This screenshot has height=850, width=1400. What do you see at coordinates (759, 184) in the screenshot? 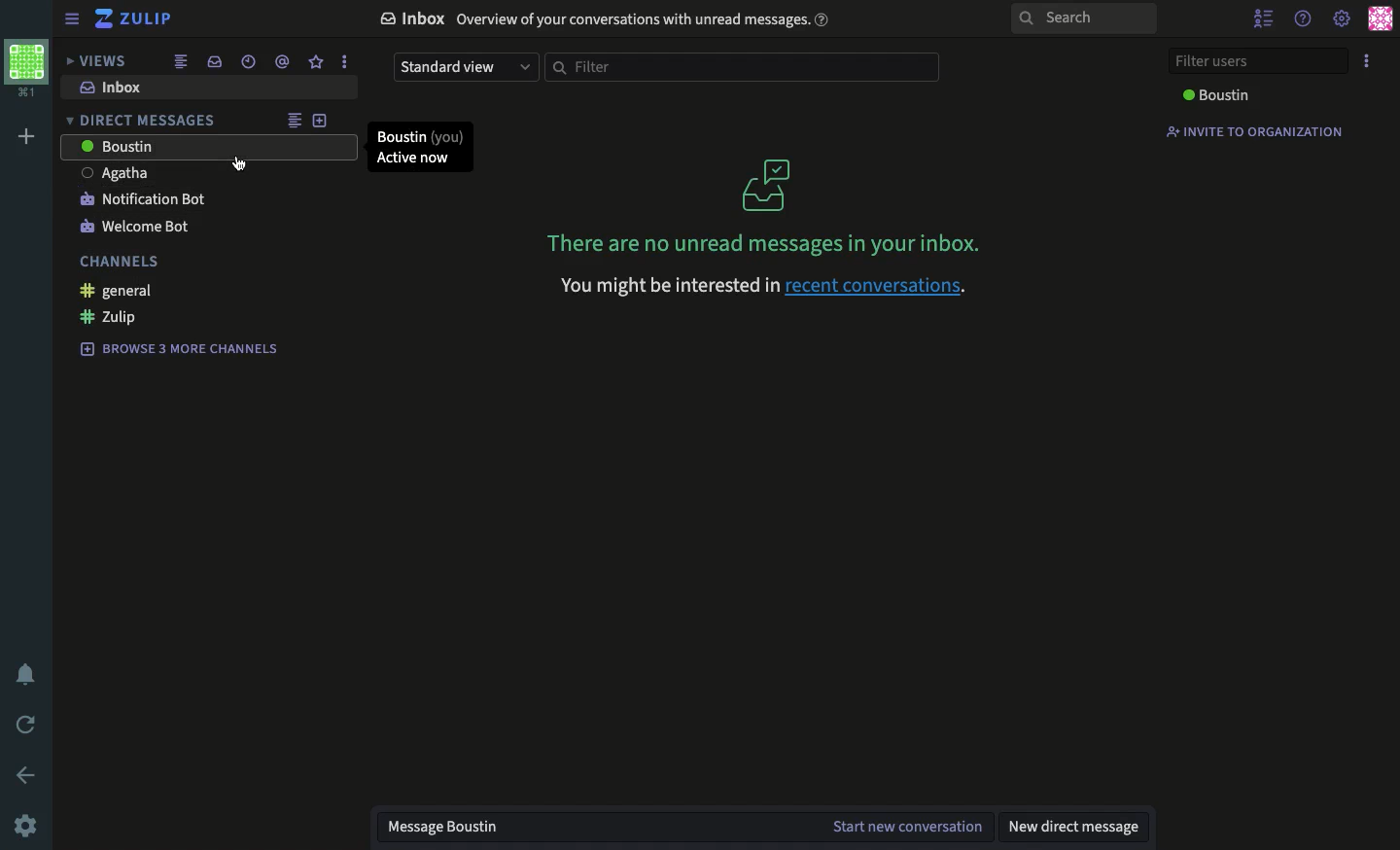
I see `inbox logo` at bounding box center [759, 184].